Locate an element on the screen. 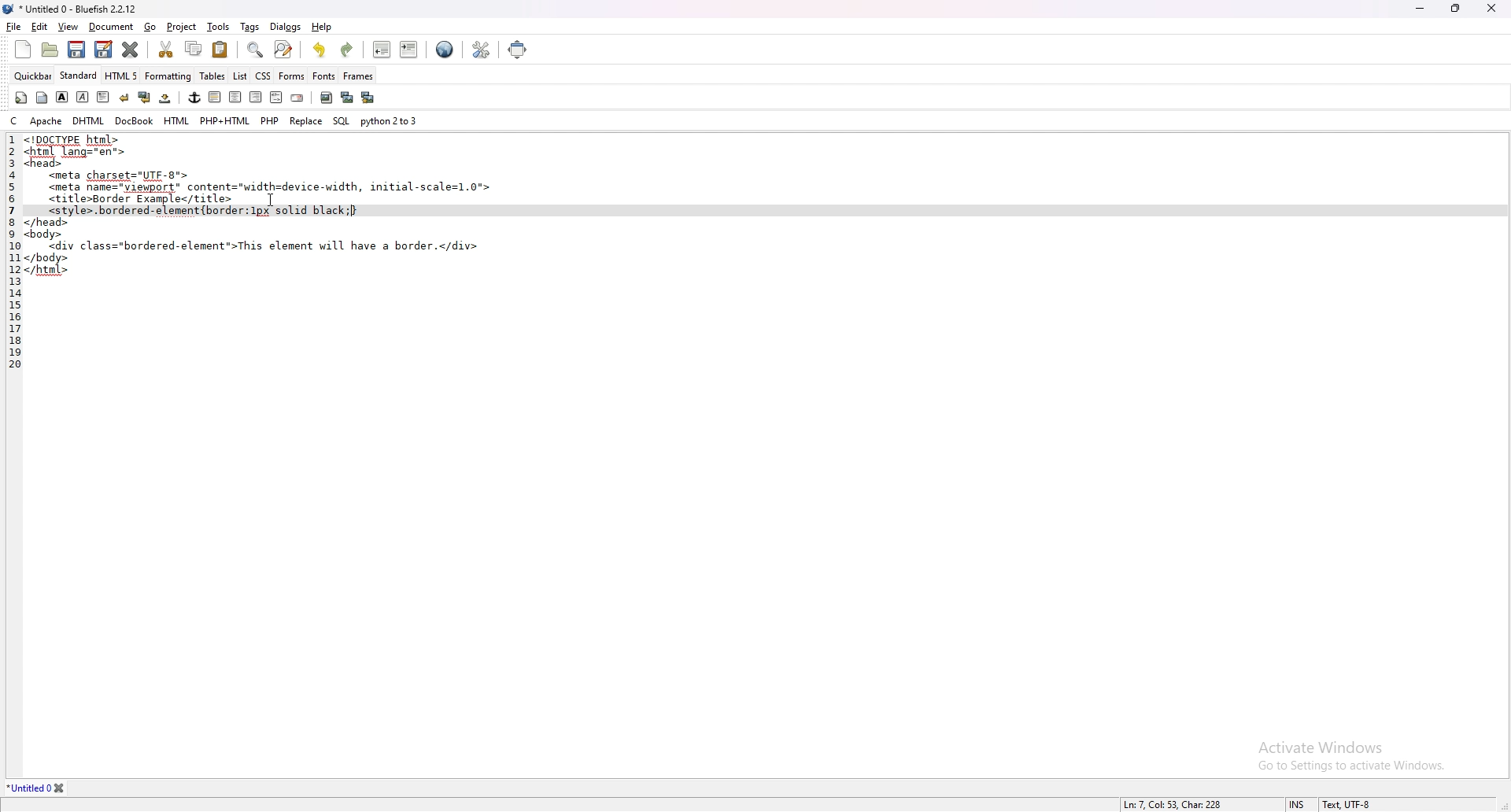 This screenshot has width=1511, height=812. undo is located at coordinates (320, 50).